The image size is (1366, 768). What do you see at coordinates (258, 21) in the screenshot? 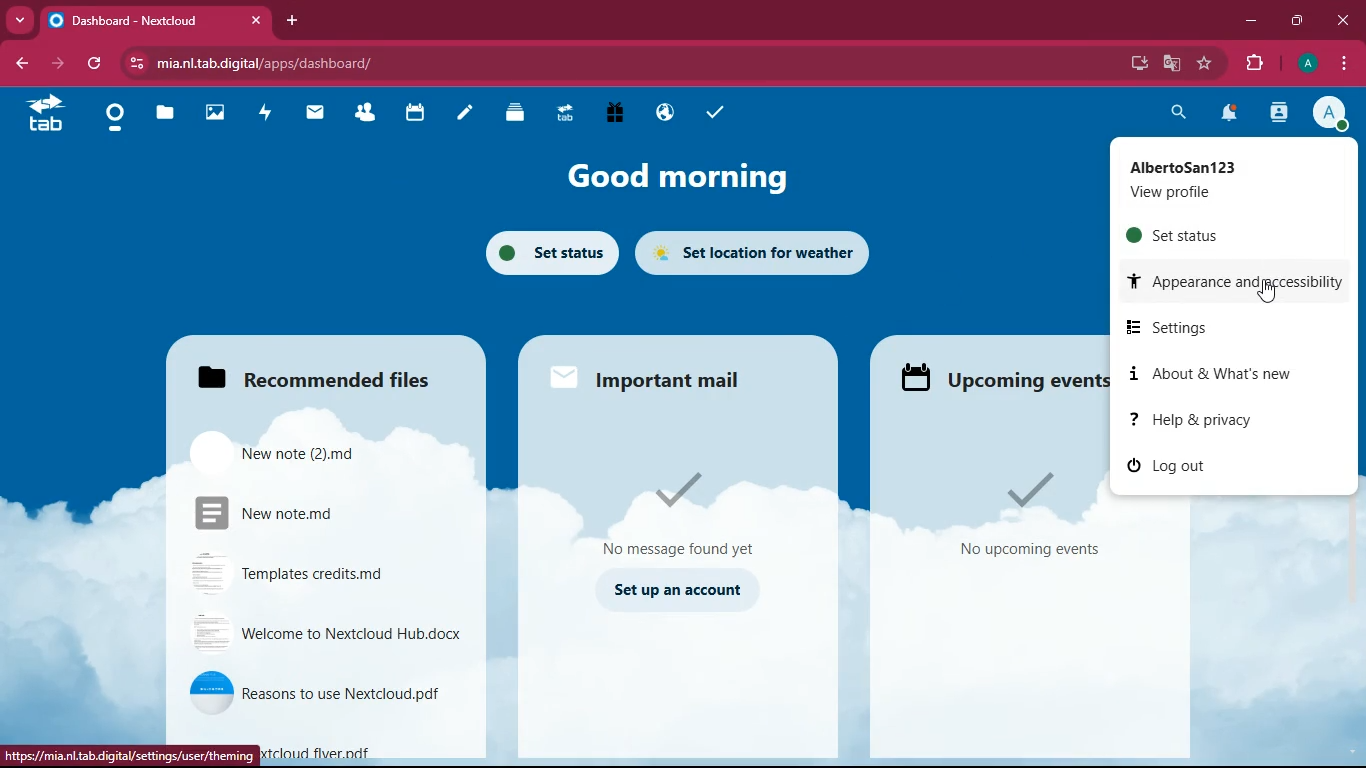
I see `close` at bounding box center [258, 21].